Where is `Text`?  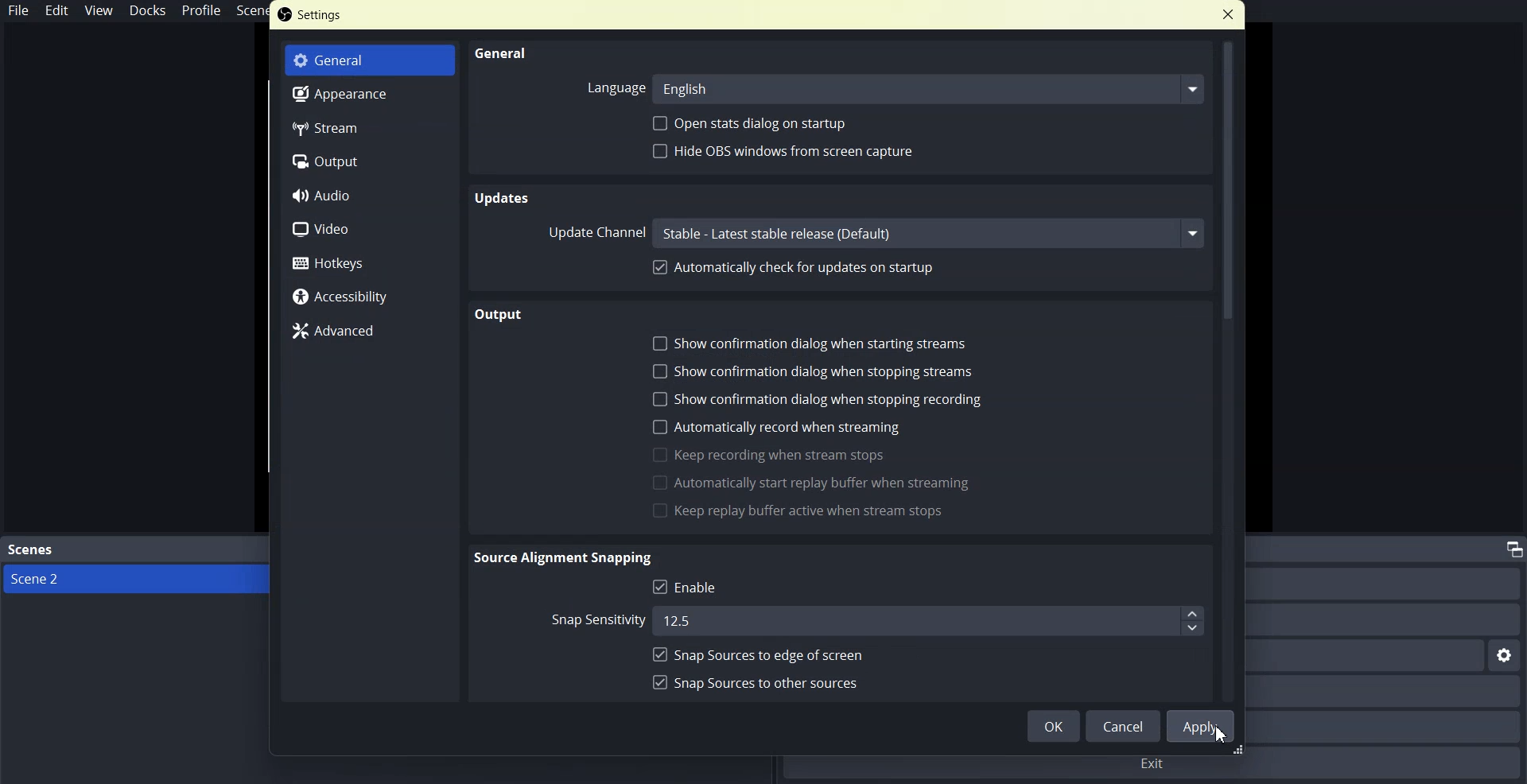
Text is located at coordinates (504, 199).